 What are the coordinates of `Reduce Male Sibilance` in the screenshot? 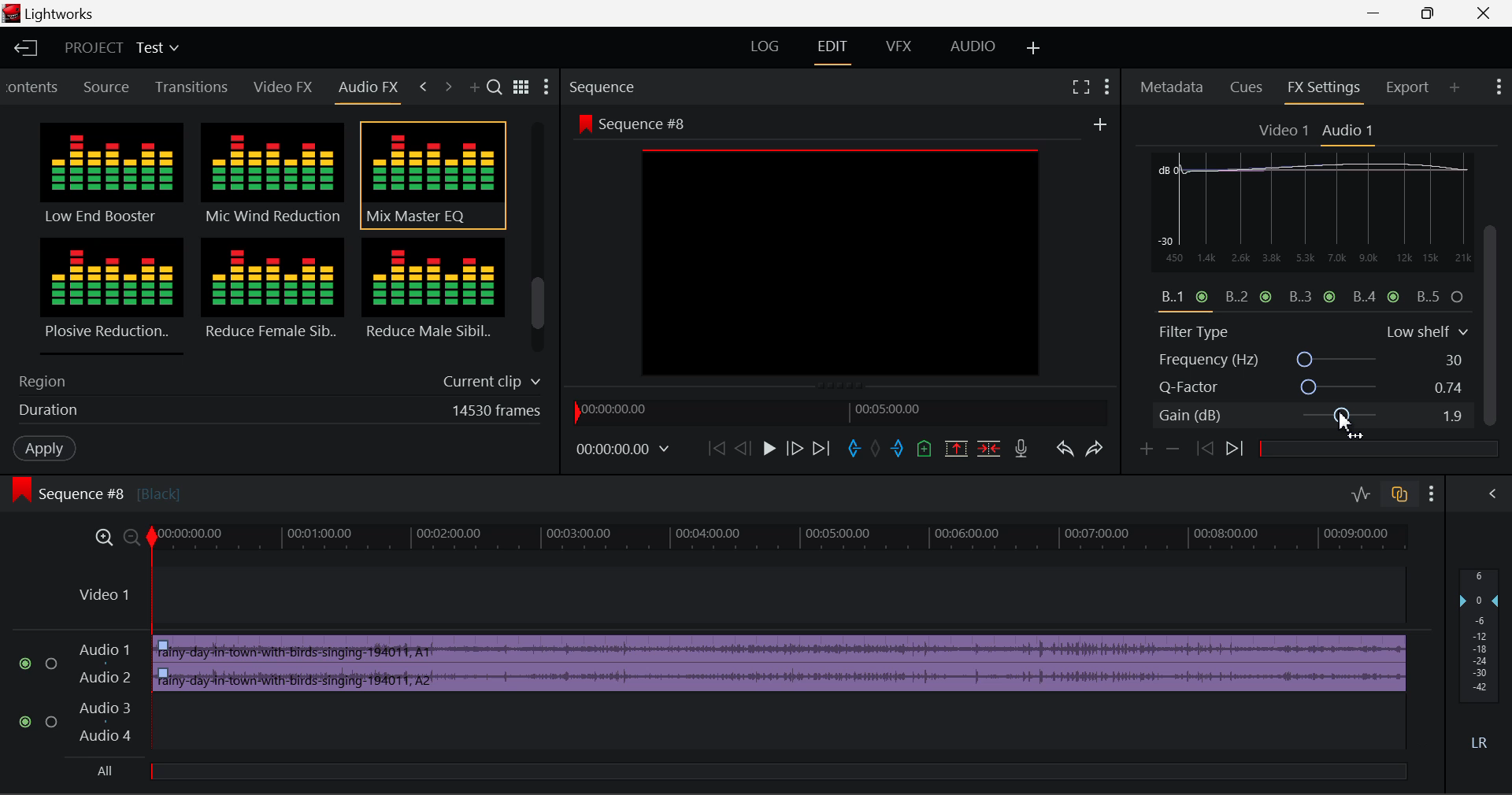 It's located at (432, 294).